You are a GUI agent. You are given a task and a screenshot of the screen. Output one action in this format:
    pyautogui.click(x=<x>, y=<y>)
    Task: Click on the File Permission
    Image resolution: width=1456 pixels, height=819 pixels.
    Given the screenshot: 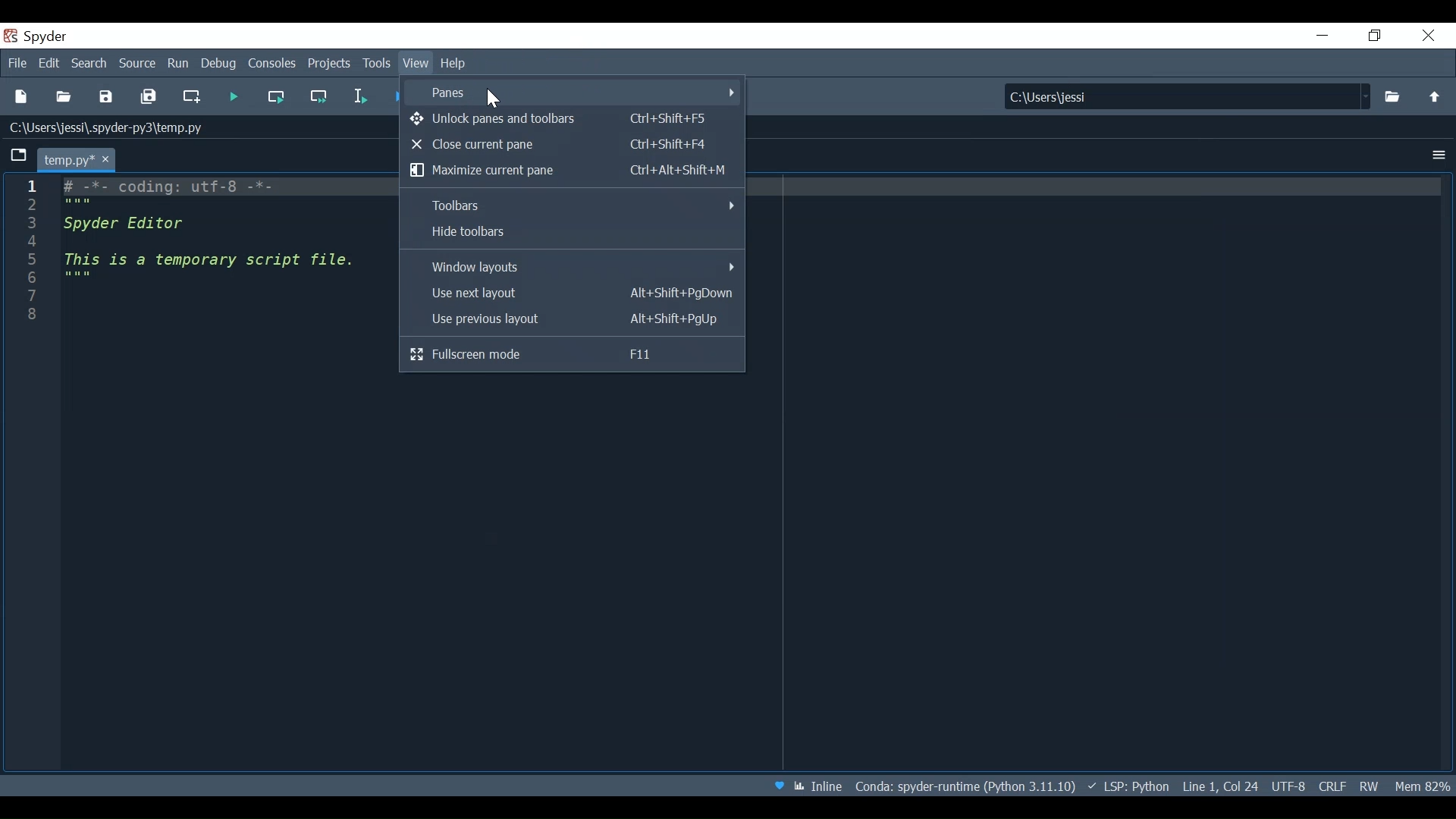 What is the action you would take?
    pyautogui.click(x=1367, y=785)
    